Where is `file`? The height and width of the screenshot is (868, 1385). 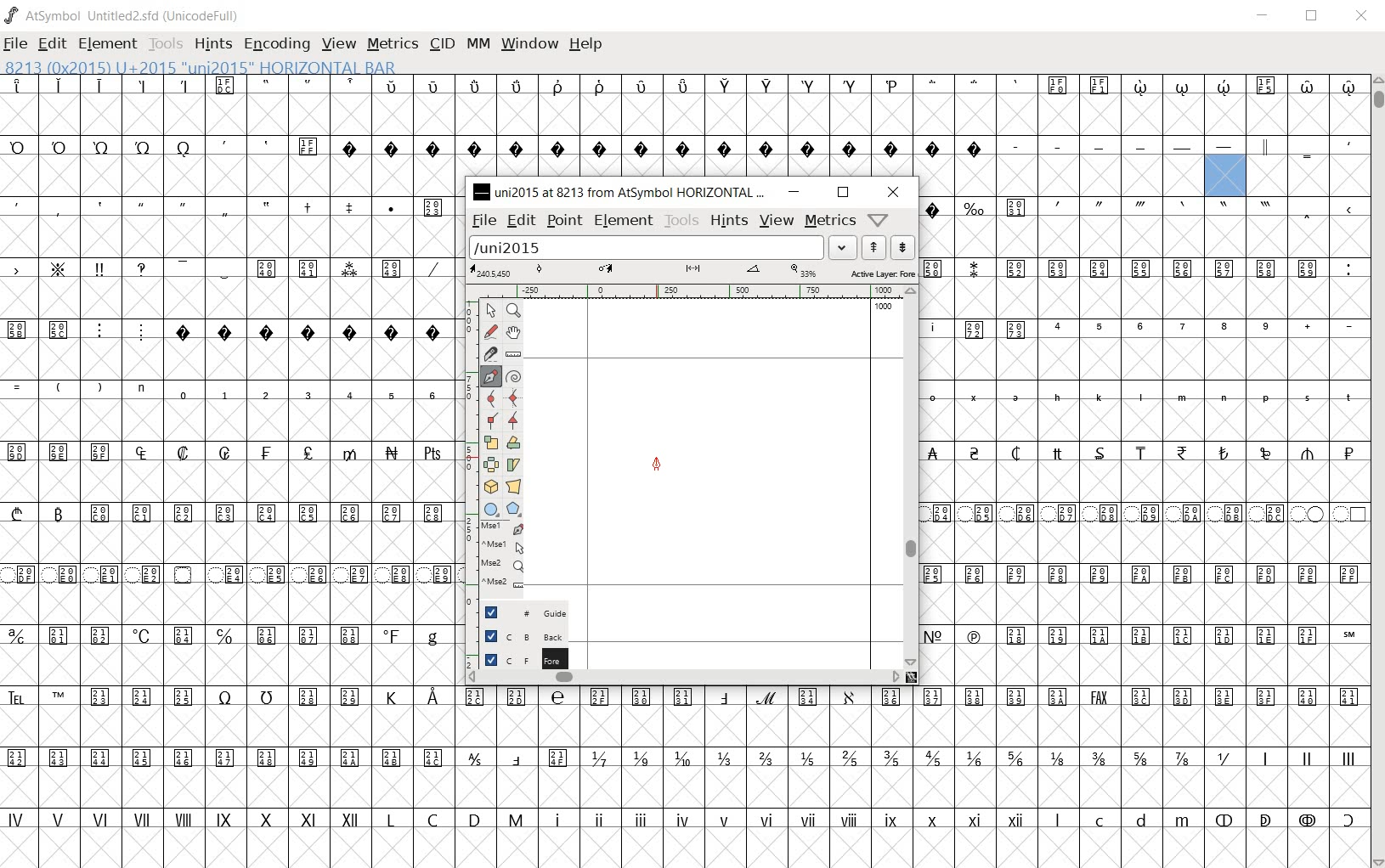
file is located at coordinates (483, 222).